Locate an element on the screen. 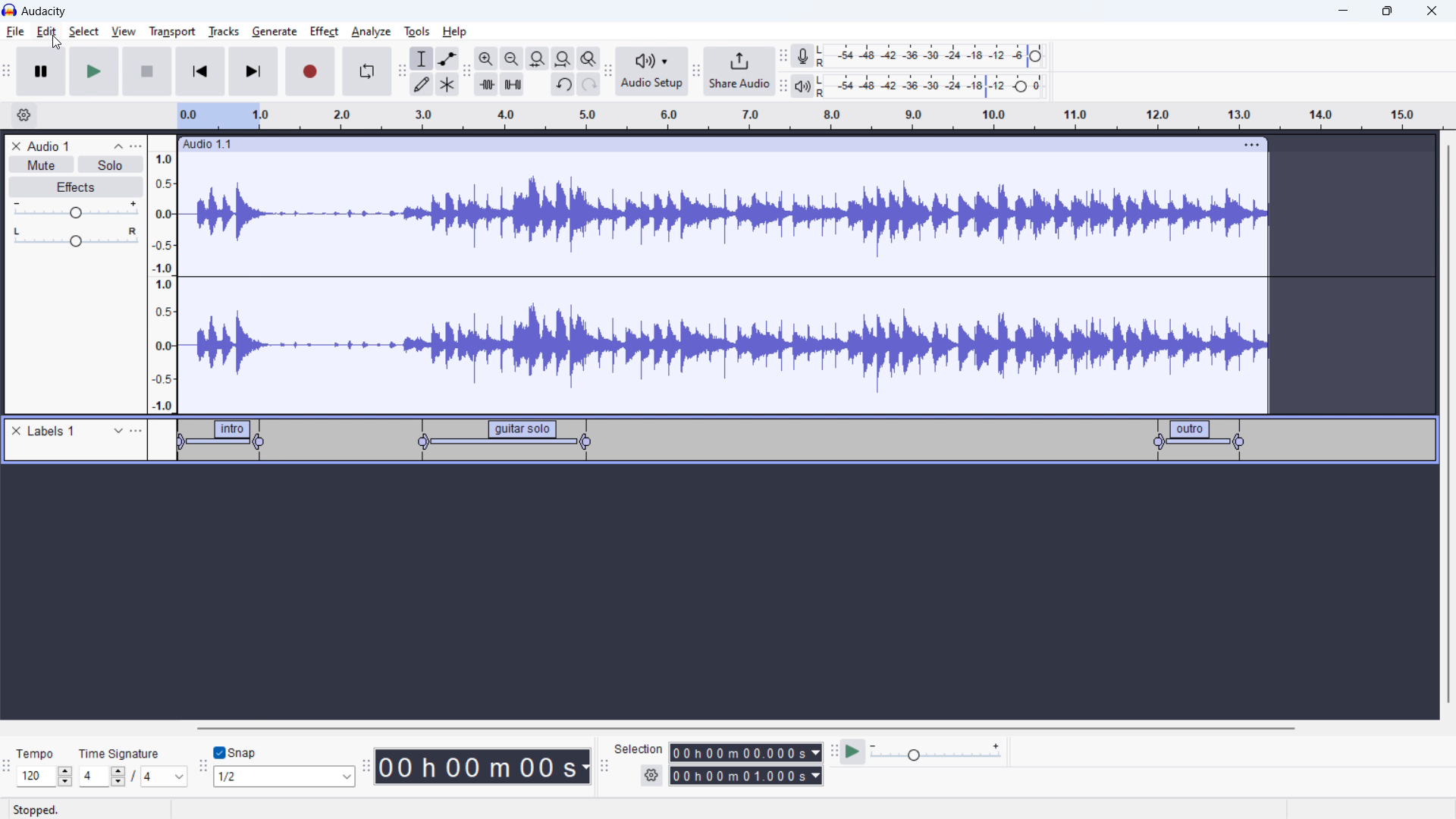 Image resolution: width=1456 pixels, height=819 pixels.  is located at coordinates (823, 86).